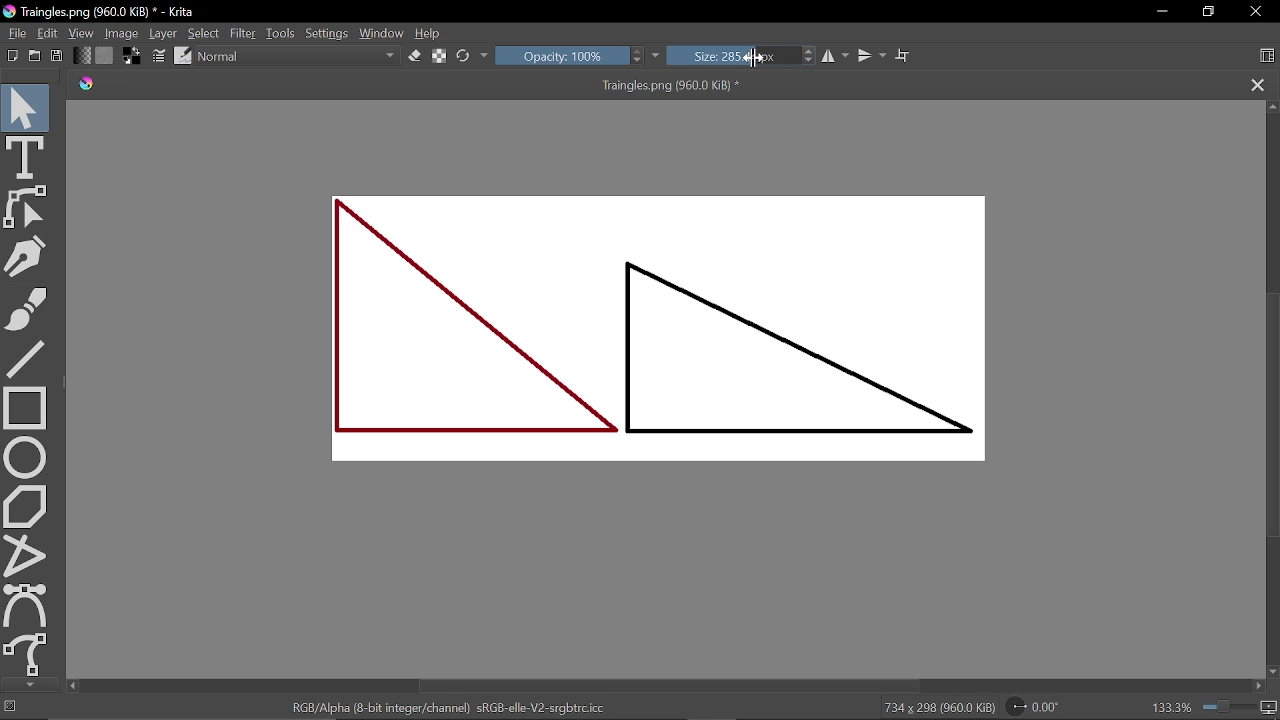 The width and height of the screenshot is (1280, 720). What do you see at coordinates (162, 33) in the screenshot?
I see `Layer` at bounding box center [162, 33].